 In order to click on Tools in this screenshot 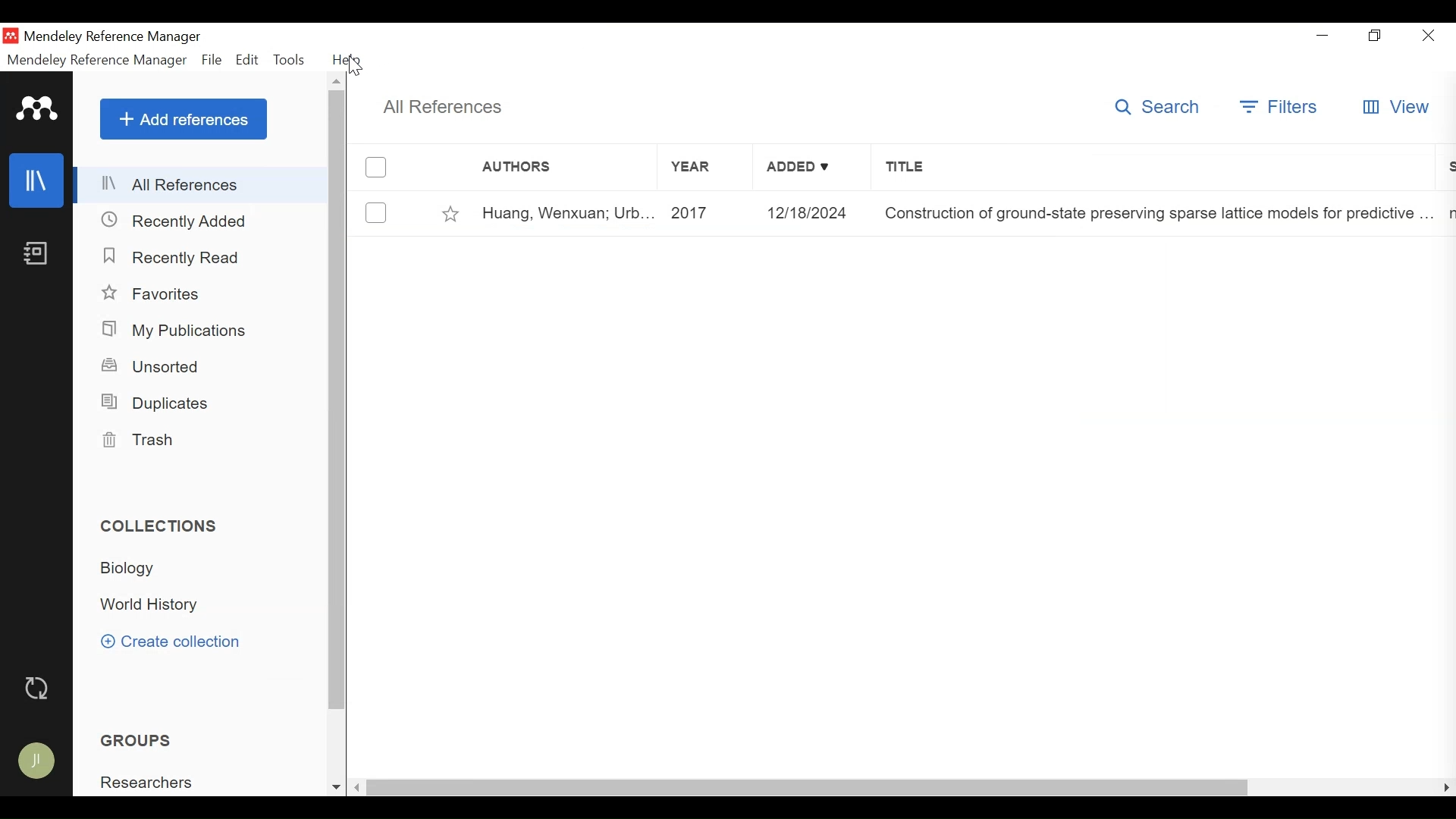, I will do `click(296, 61)`.